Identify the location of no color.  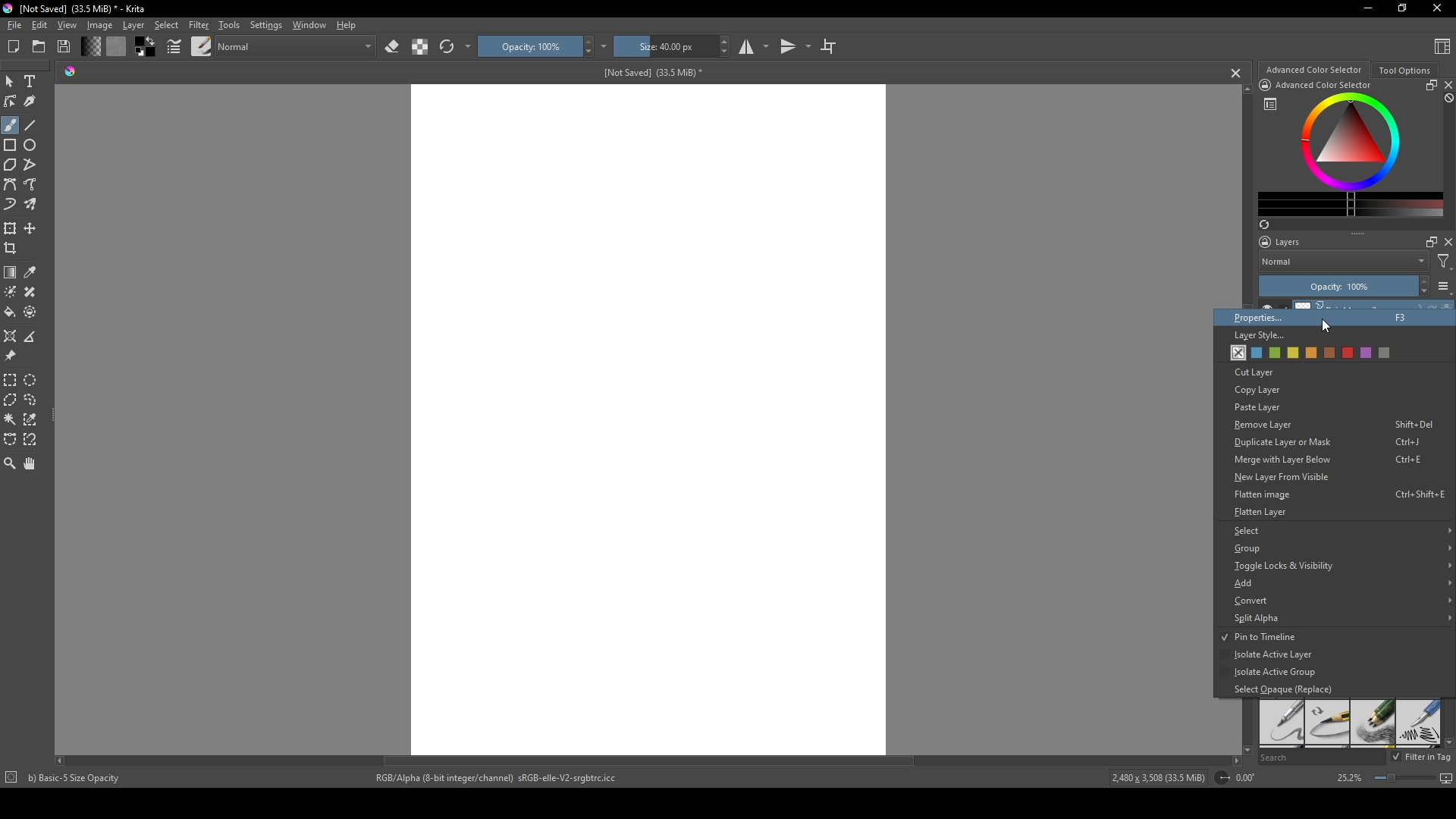
(1235, 353).